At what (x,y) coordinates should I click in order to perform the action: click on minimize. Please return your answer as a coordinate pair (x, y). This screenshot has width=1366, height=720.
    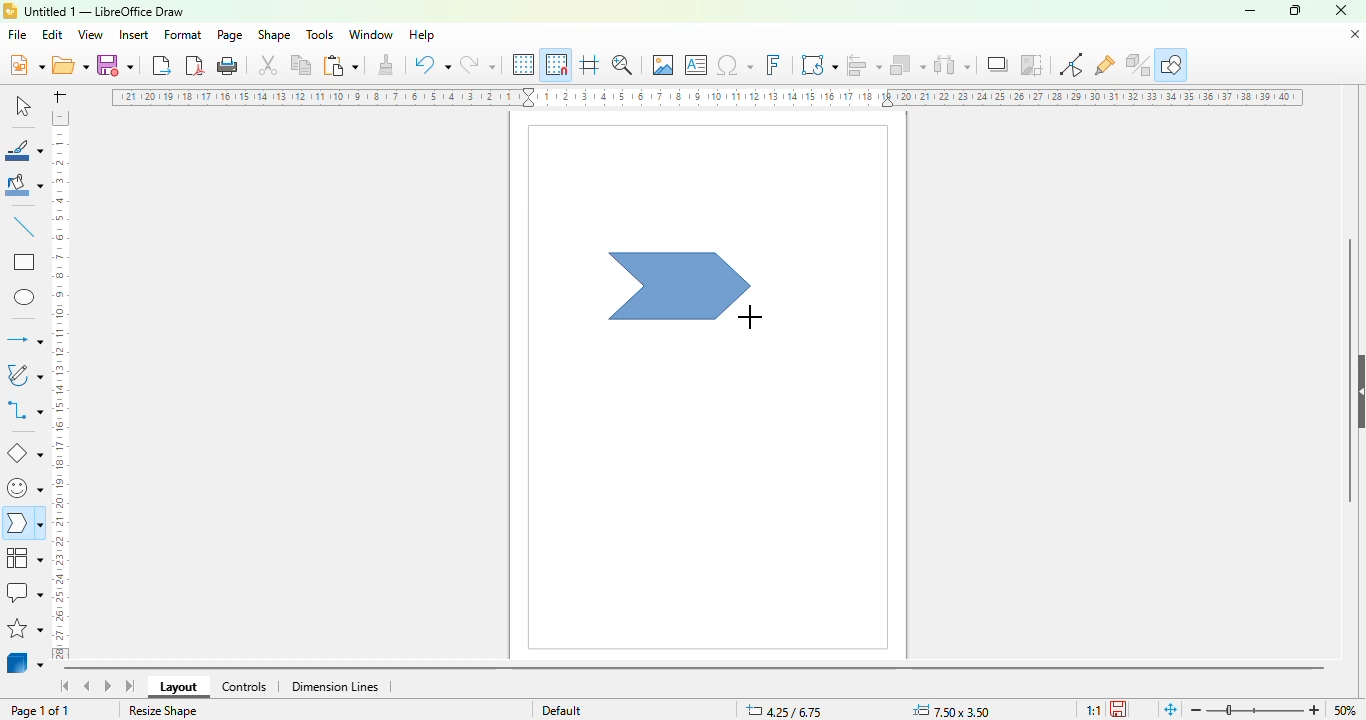
    Looking at the image, I should click on (1250, 12).